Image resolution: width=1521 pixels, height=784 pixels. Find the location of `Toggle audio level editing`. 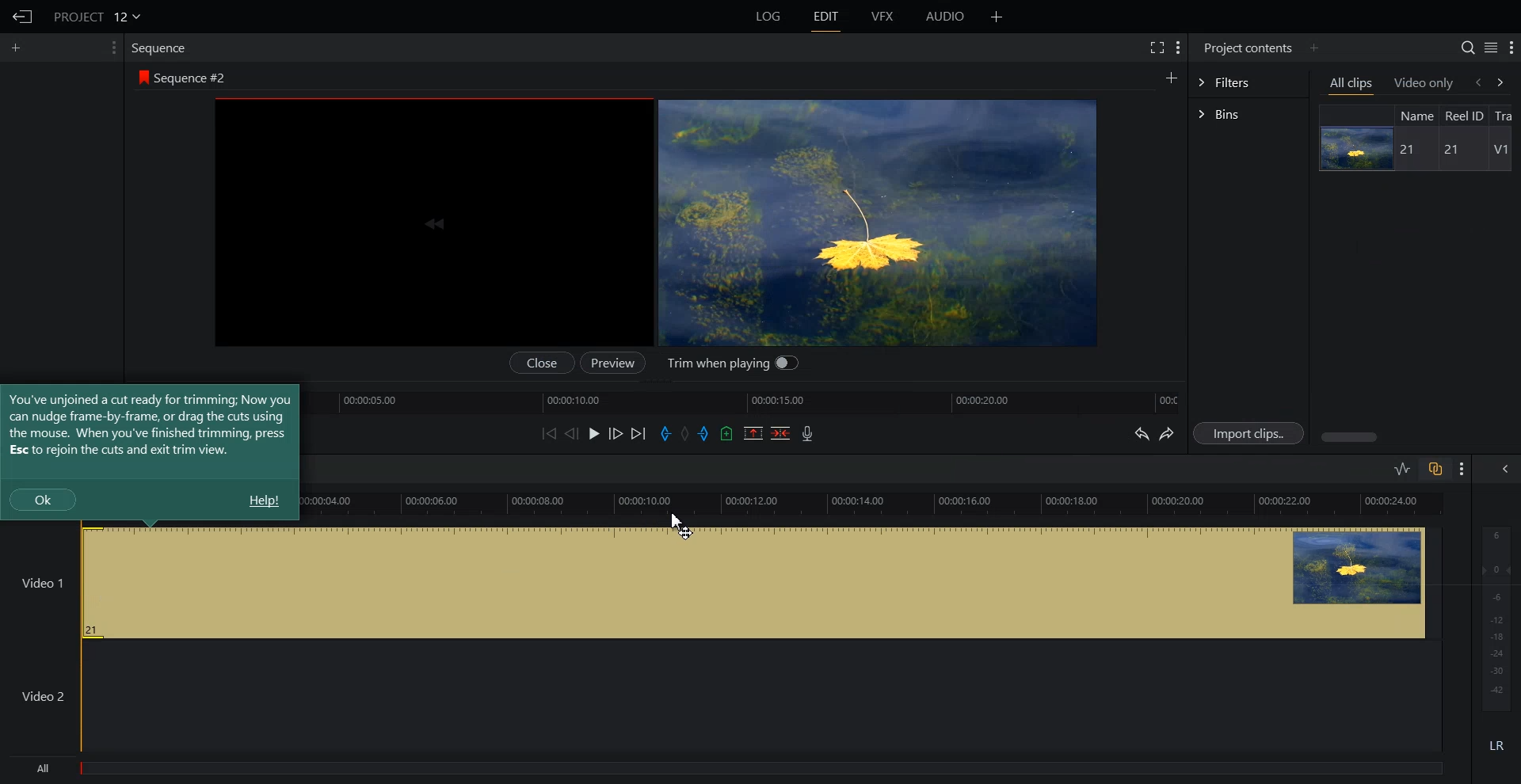

Toggle audio level editing is located at coordinates (1403, 468).